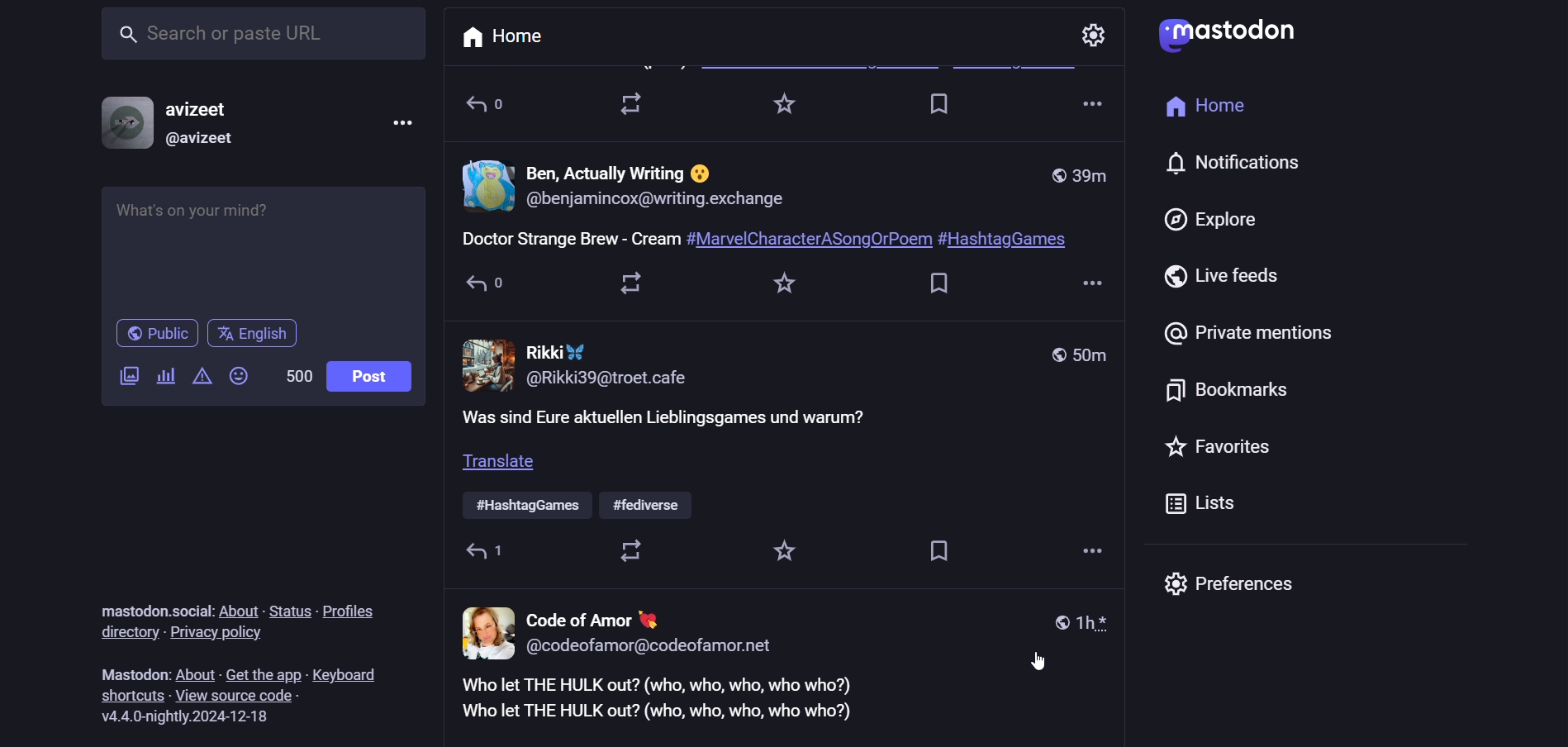 Image resolution: width=1568 pixels, height=747 pixels. What do you see at coordinates (1207, 217) in the screenshot?
I see `explore` at bounding box center [1207, 217].